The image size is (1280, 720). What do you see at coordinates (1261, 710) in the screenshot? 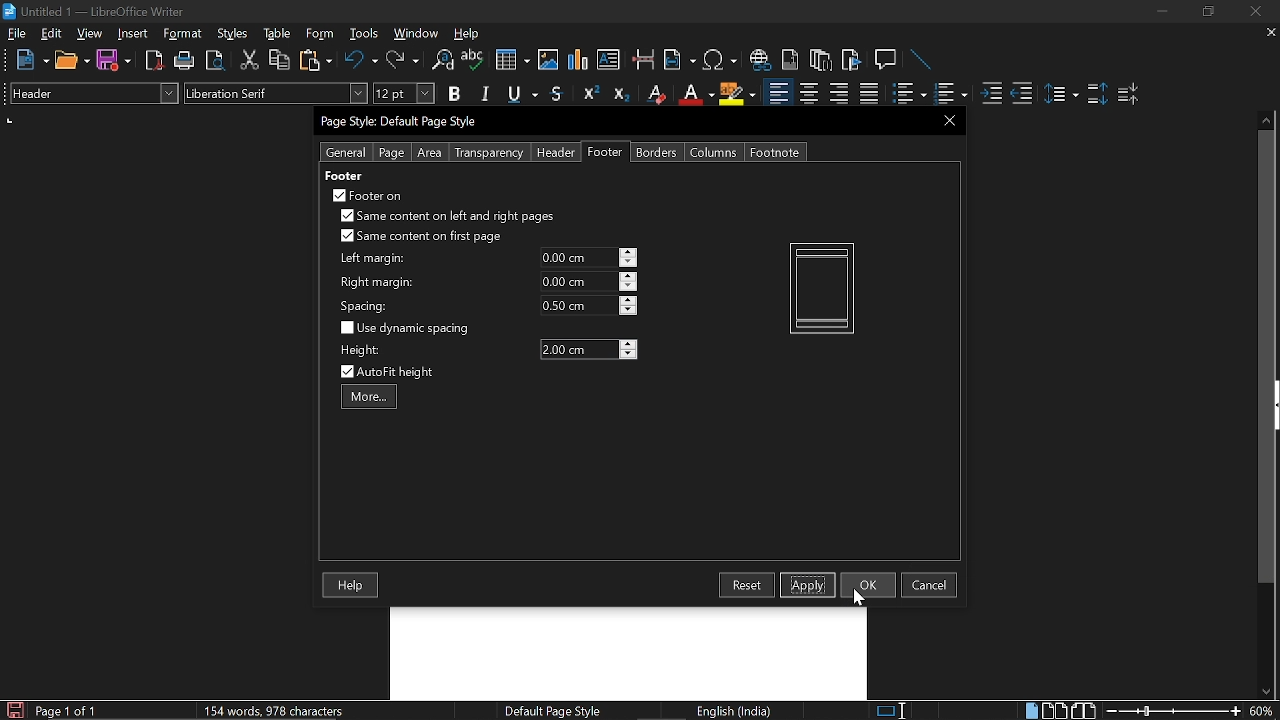
I see `Current zoom hey Cortana` at bounding box center [1261, 710].